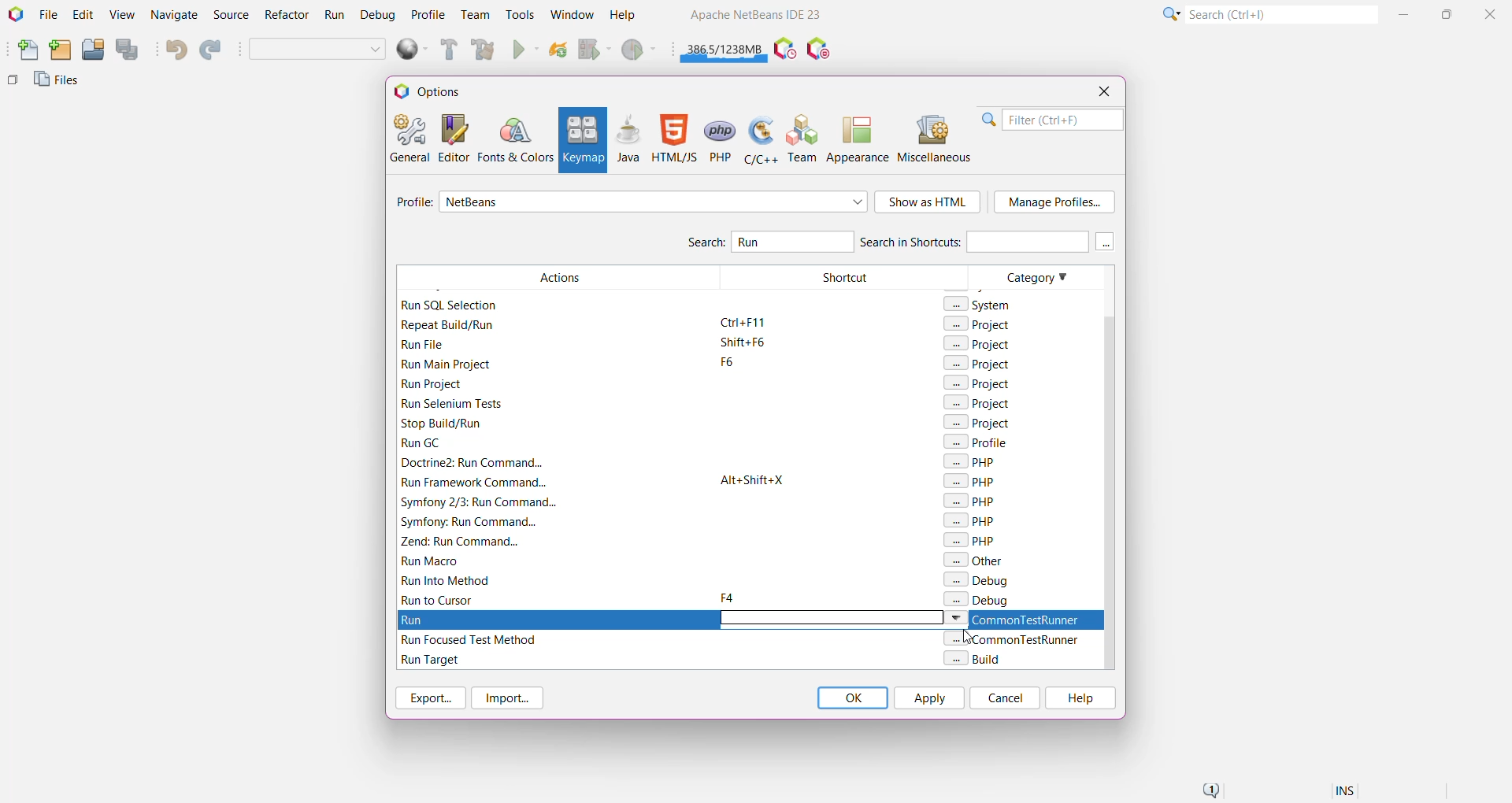  Describe the element at coordinates (510, 698) in the screenshot. I see `Import` at that location.